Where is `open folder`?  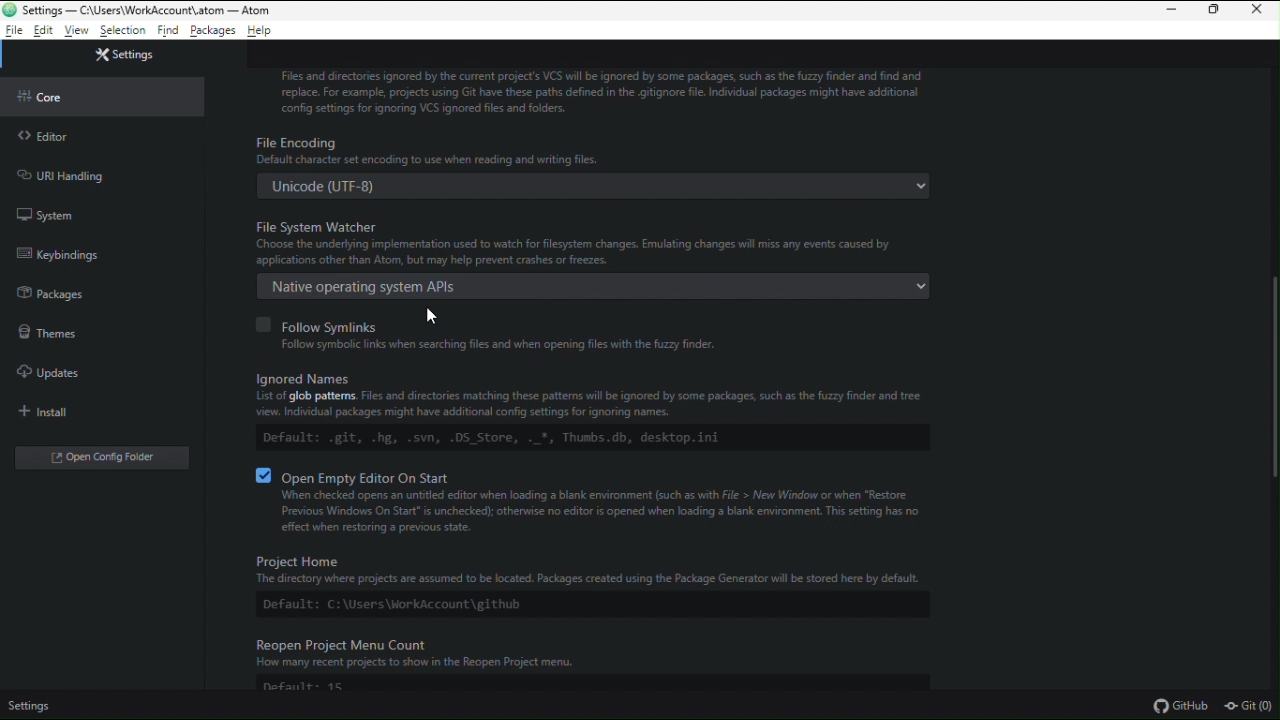
open folder is located at coordinates (105, 456).